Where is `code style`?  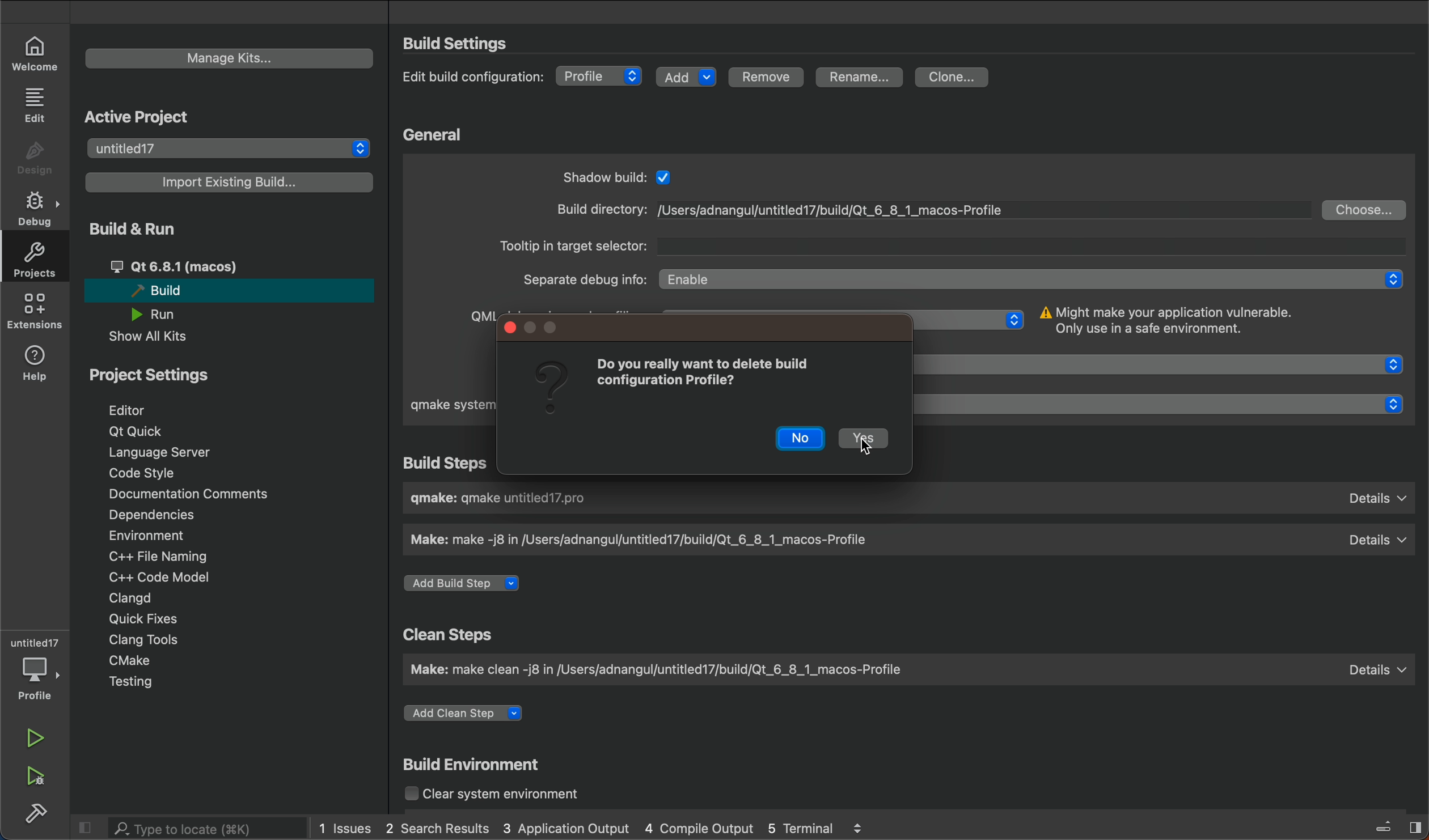
code style is located at coordinates (151, 475).